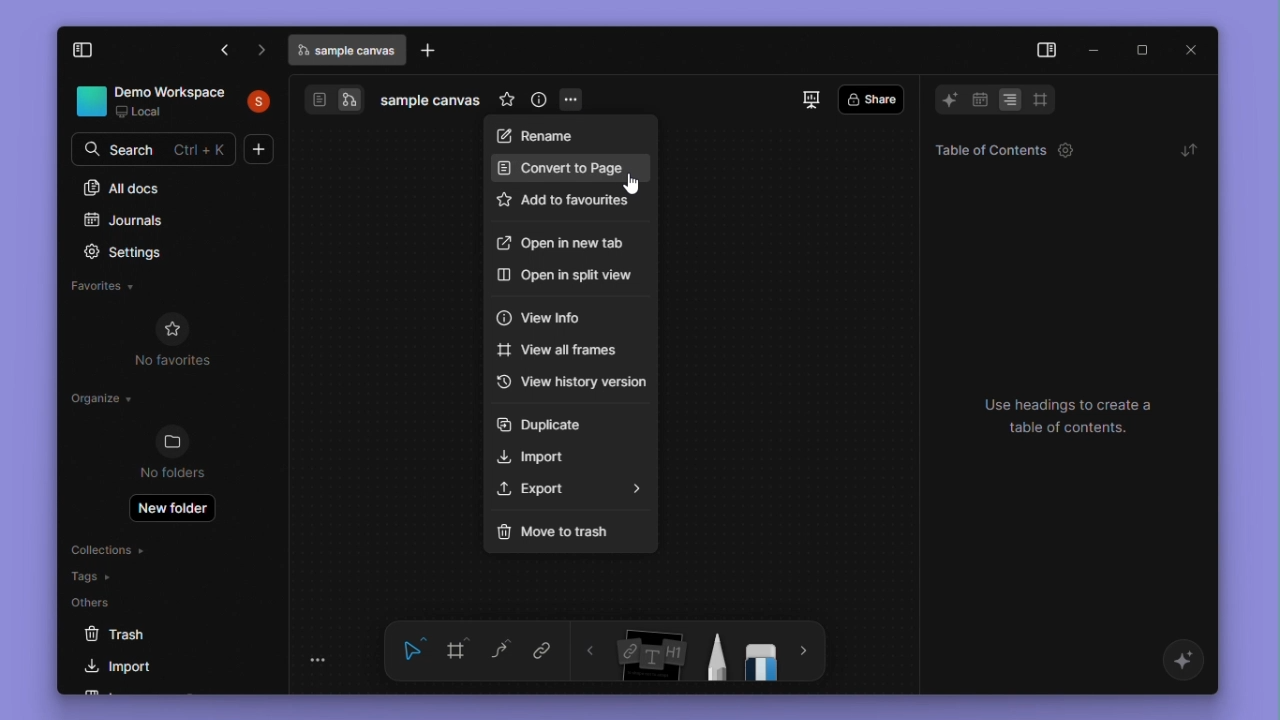  I want to click on new tab, so click(431, 51).